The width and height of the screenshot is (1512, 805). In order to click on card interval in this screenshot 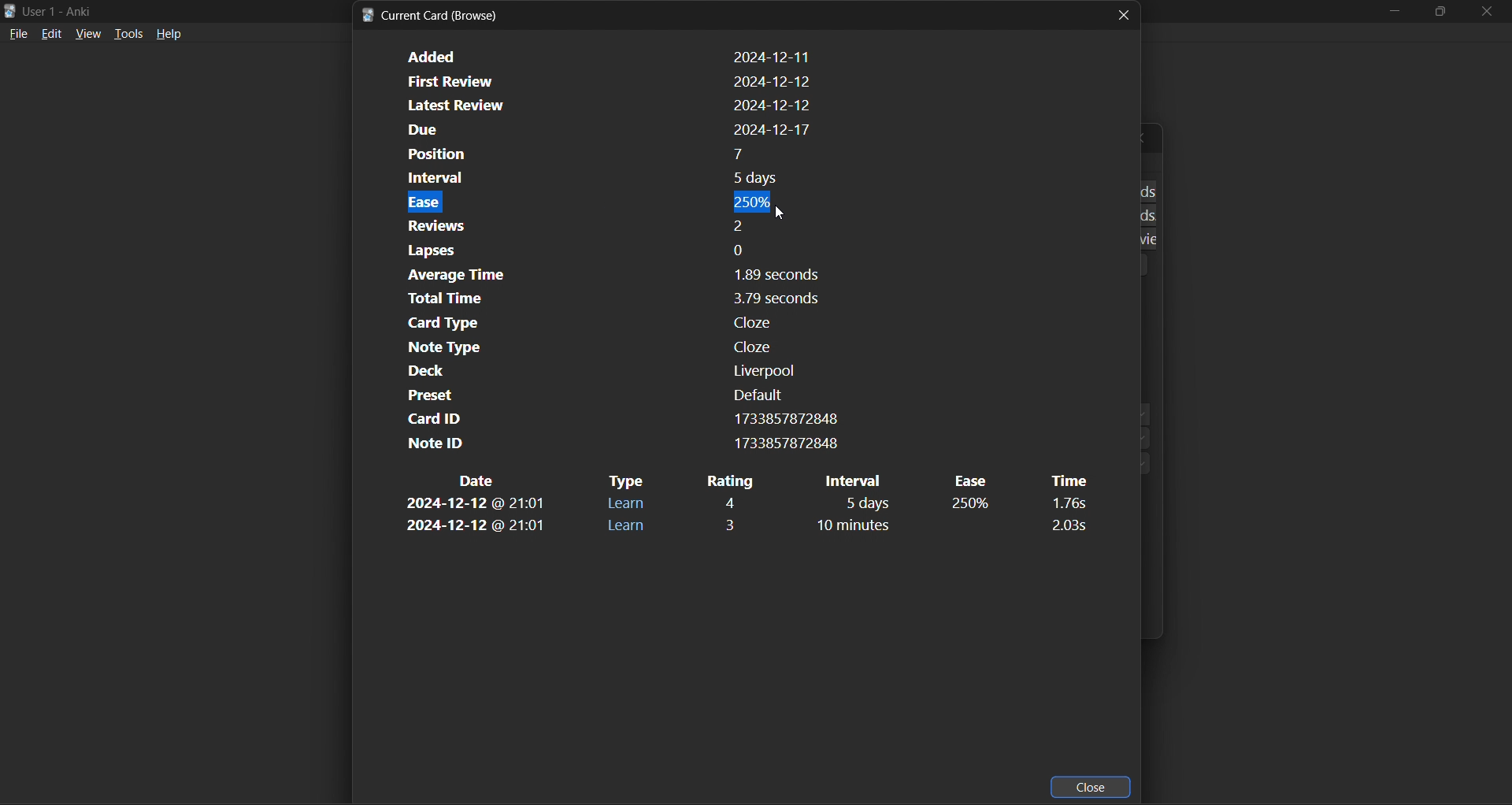, I will do `click(603, 178)`.